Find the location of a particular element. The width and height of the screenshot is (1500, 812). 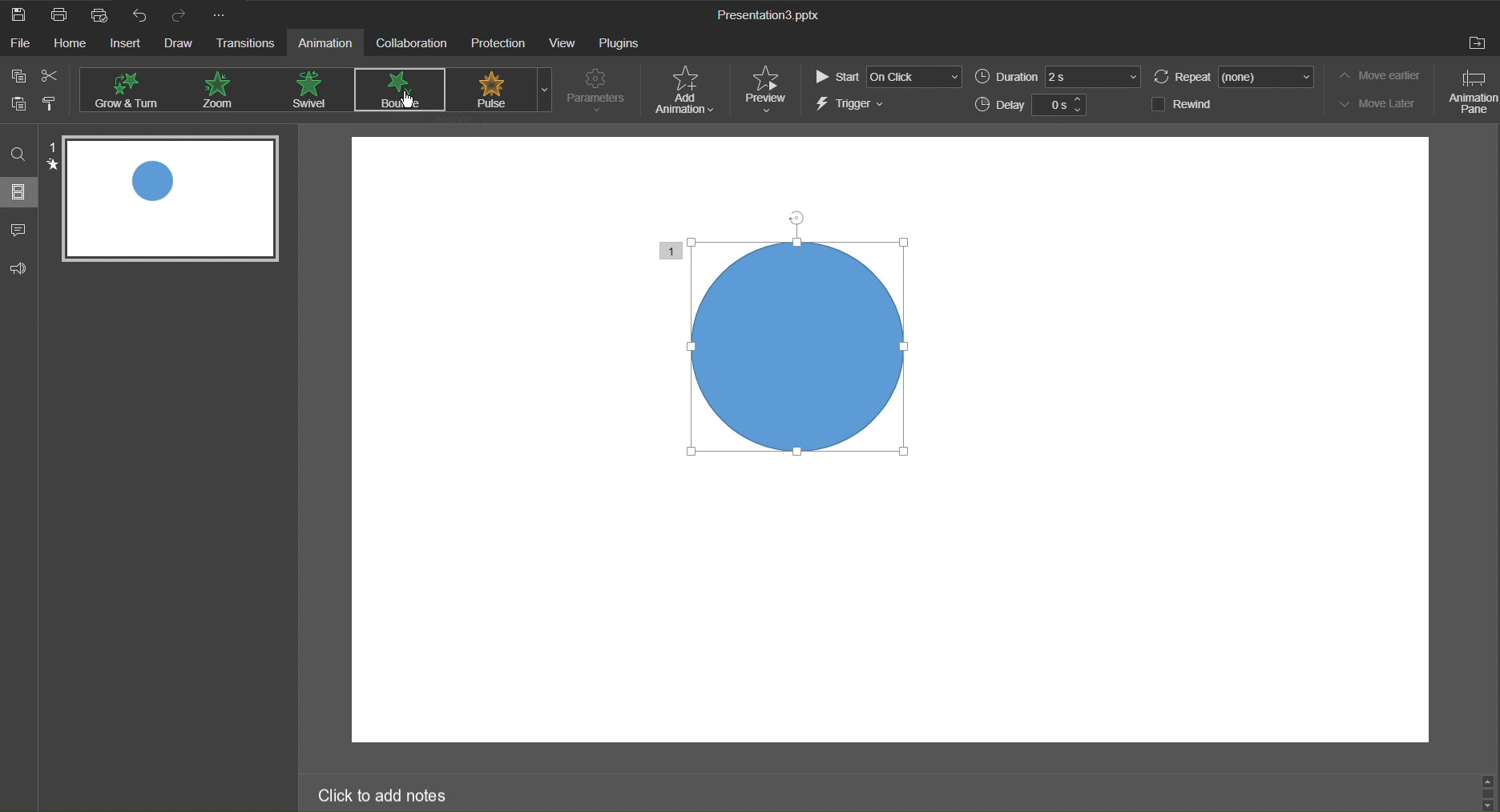

Transitions is located at coordinates (249, 46).